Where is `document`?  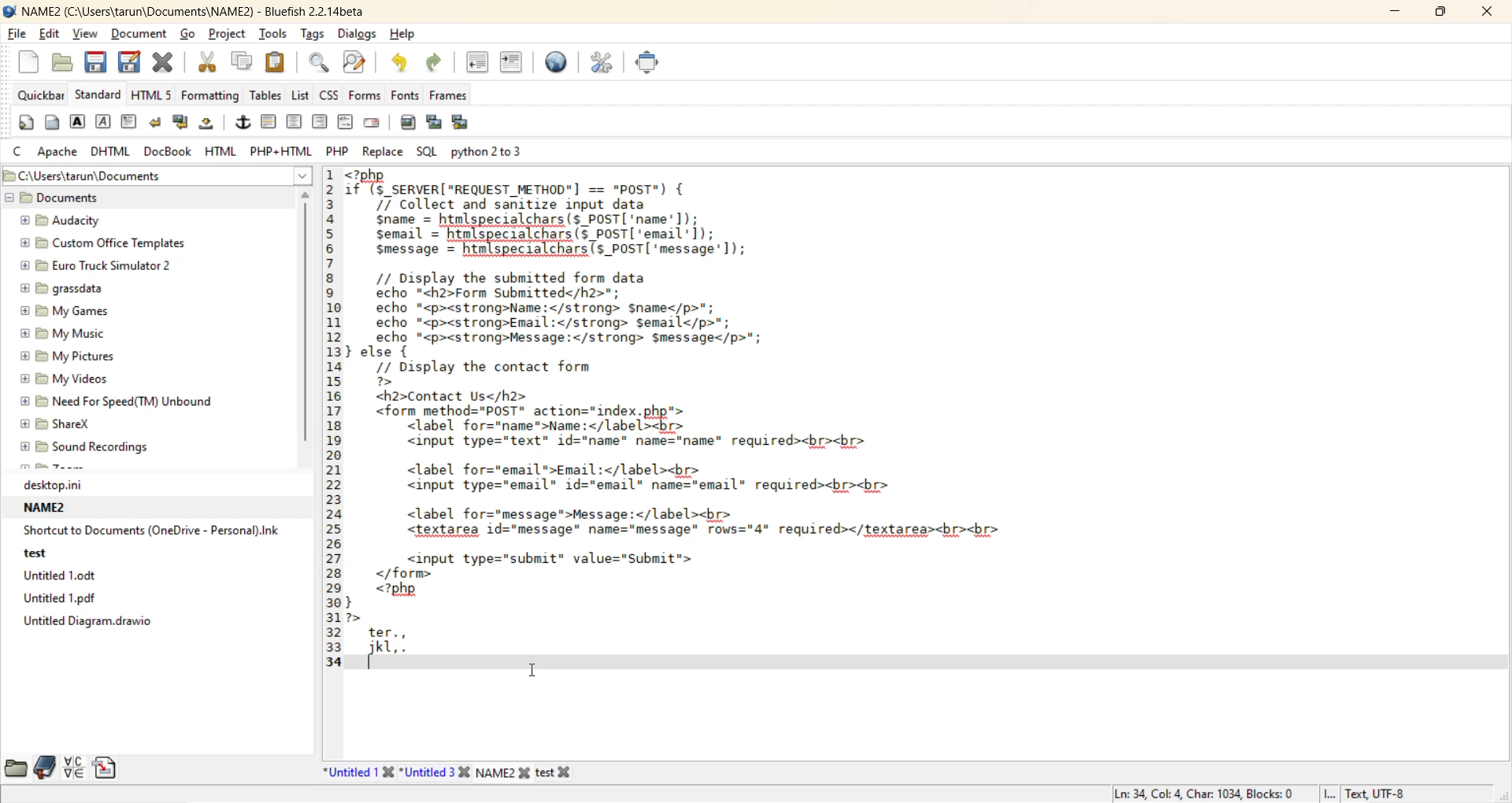 document is located at coordinates (143, 35).